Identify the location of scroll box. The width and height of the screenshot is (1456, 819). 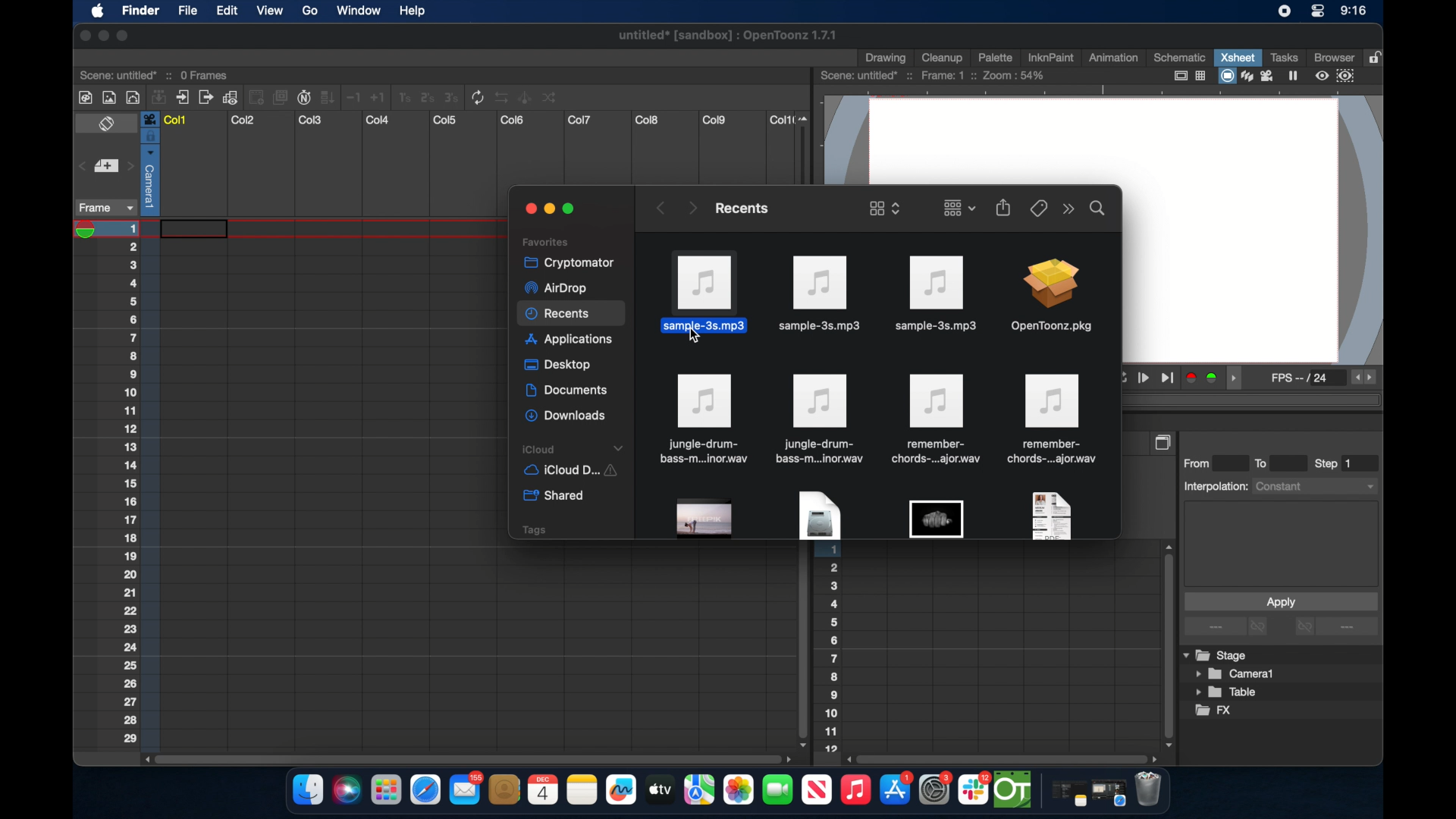
(1166, 645).